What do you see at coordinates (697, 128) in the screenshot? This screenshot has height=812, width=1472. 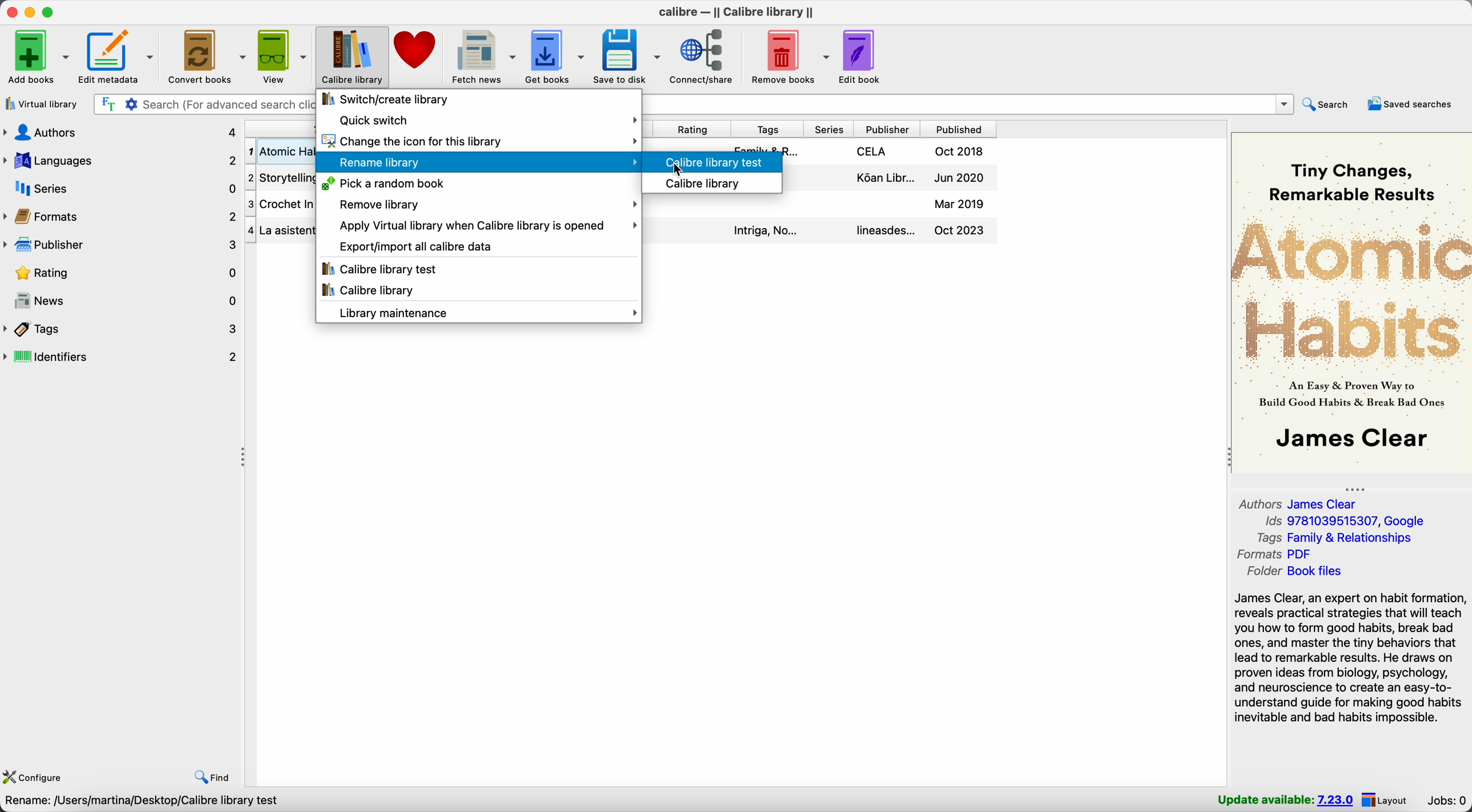 I see `rating` at bounding box center [697, 128].